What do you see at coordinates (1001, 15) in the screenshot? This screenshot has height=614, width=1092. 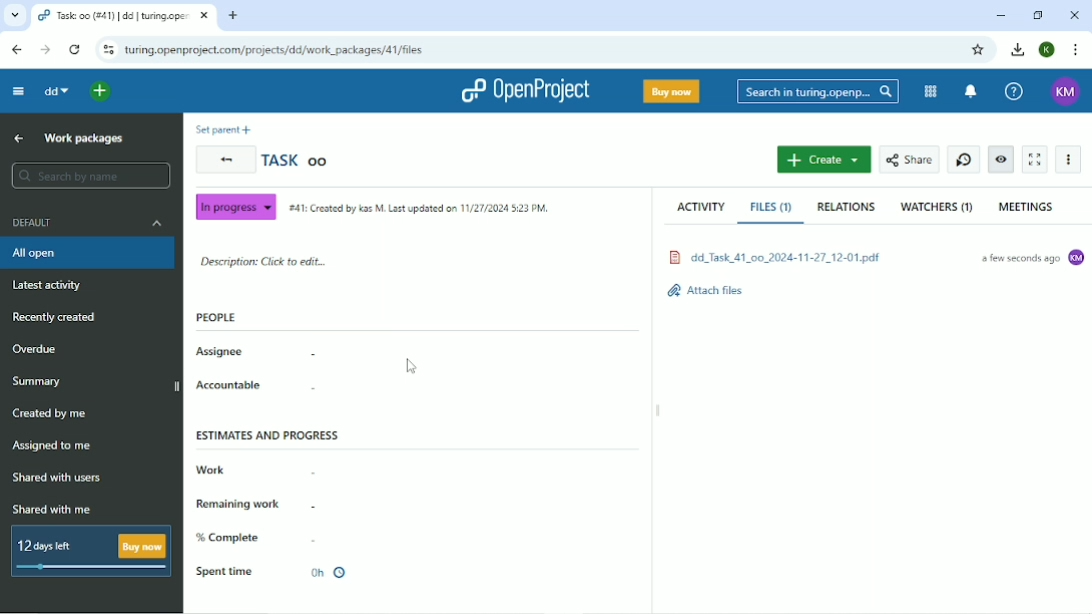 I see `Minimize` at bounding box center [1001, 15].